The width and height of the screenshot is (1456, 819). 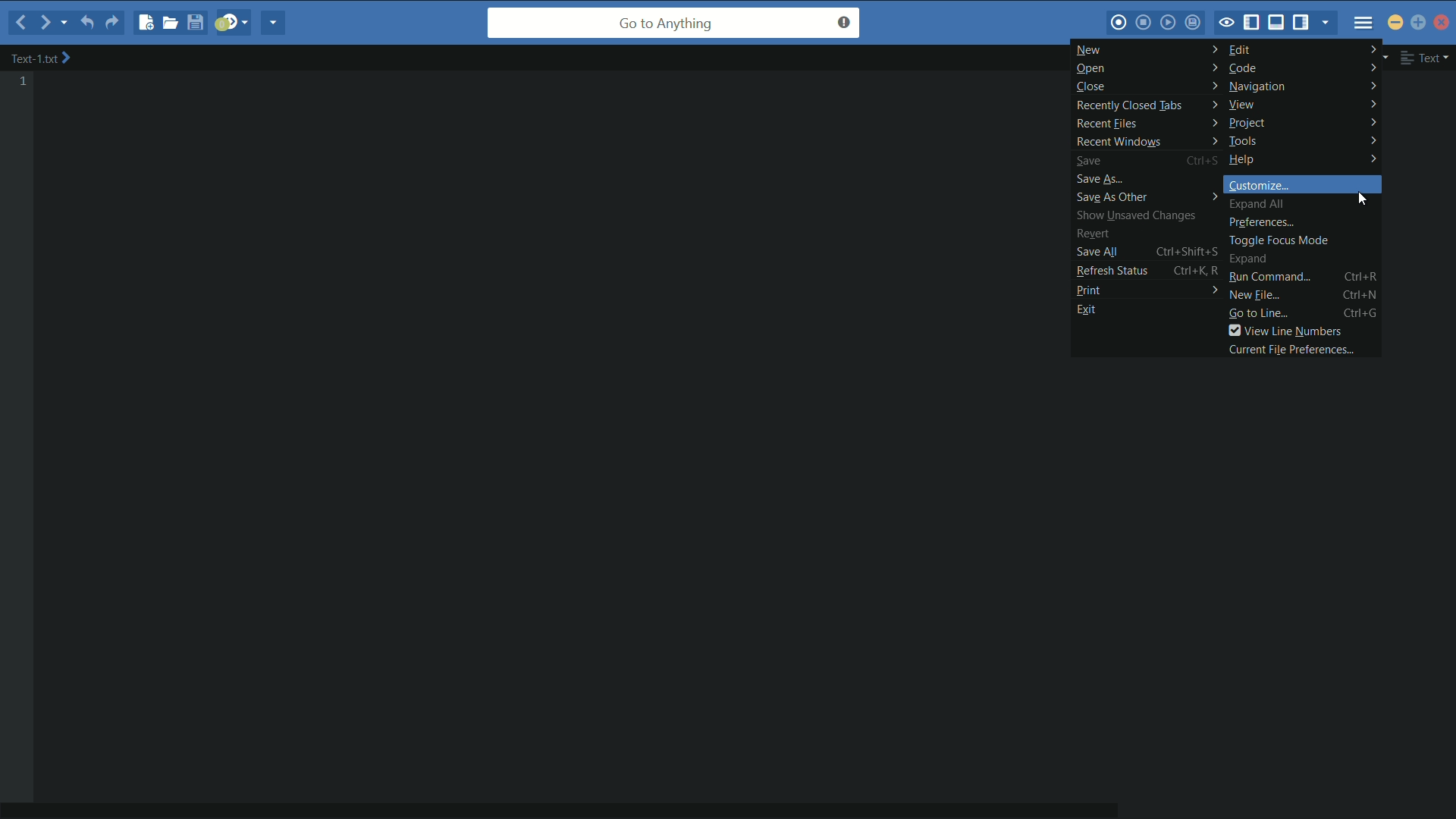 I want to click on new, so click(x=1147, y=49).